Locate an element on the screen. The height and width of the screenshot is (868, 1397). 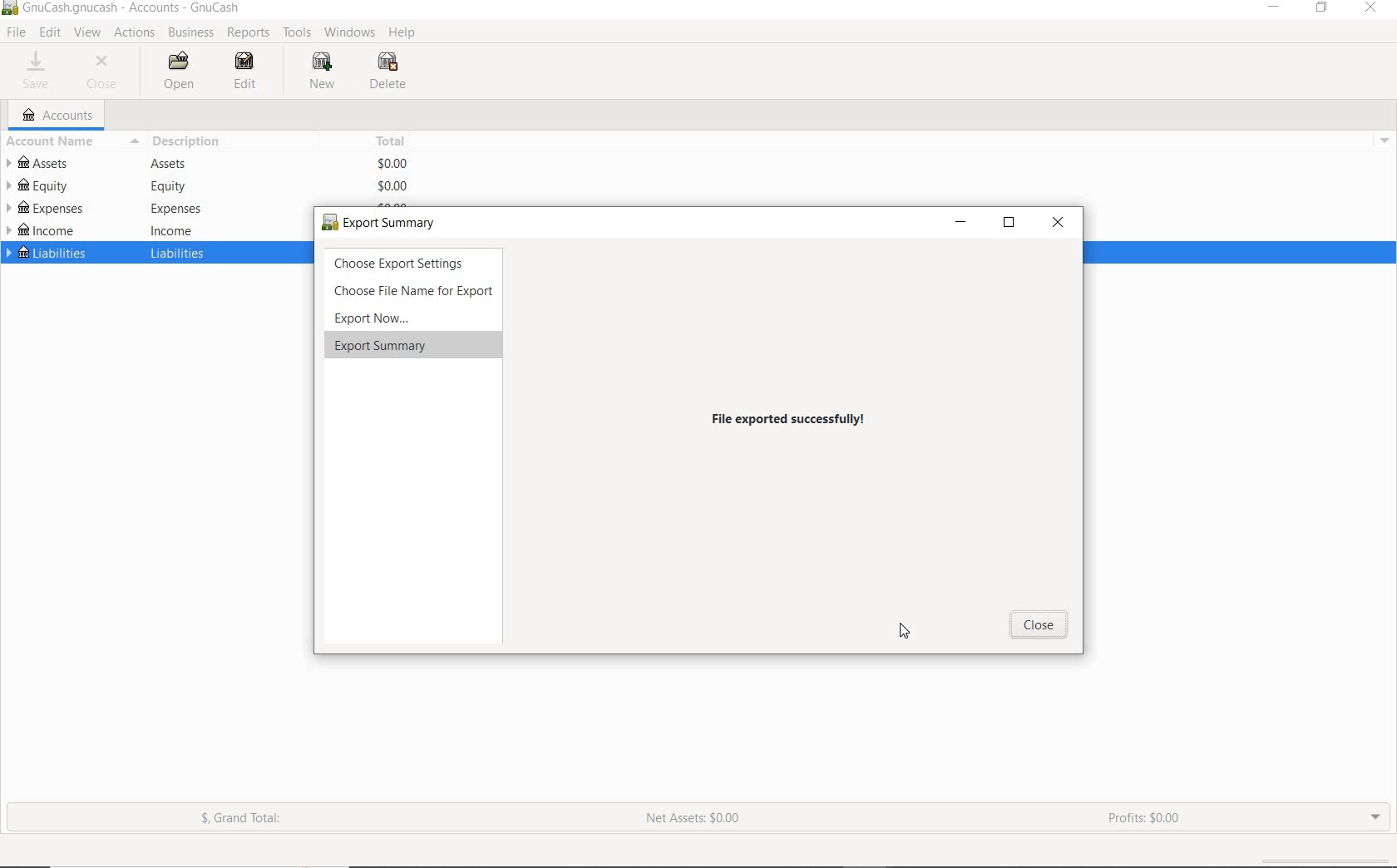
close is located at coordinates (1051, 219).